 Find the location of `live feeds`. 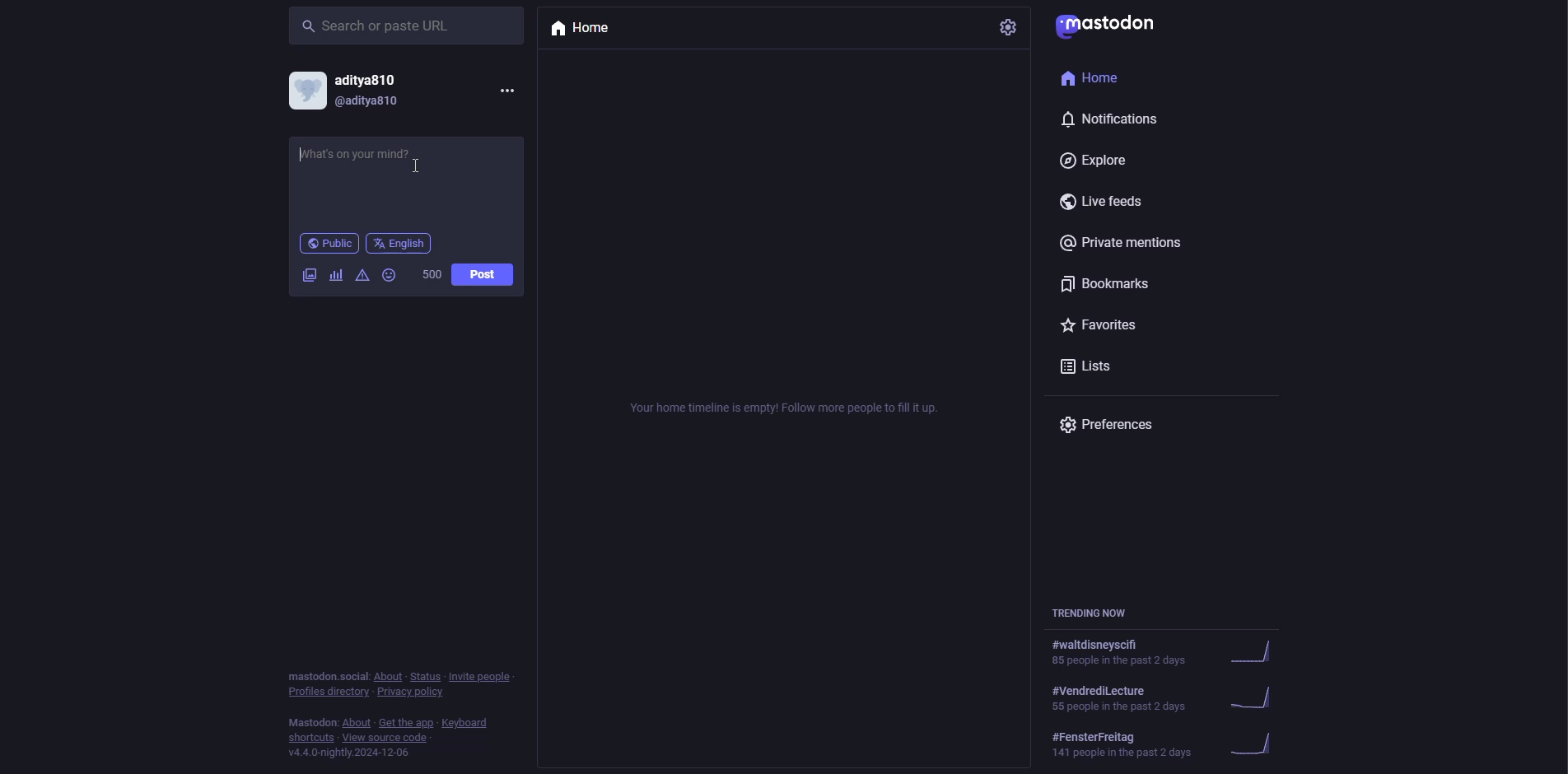

live feeds is located at coordinates (1104, 204).